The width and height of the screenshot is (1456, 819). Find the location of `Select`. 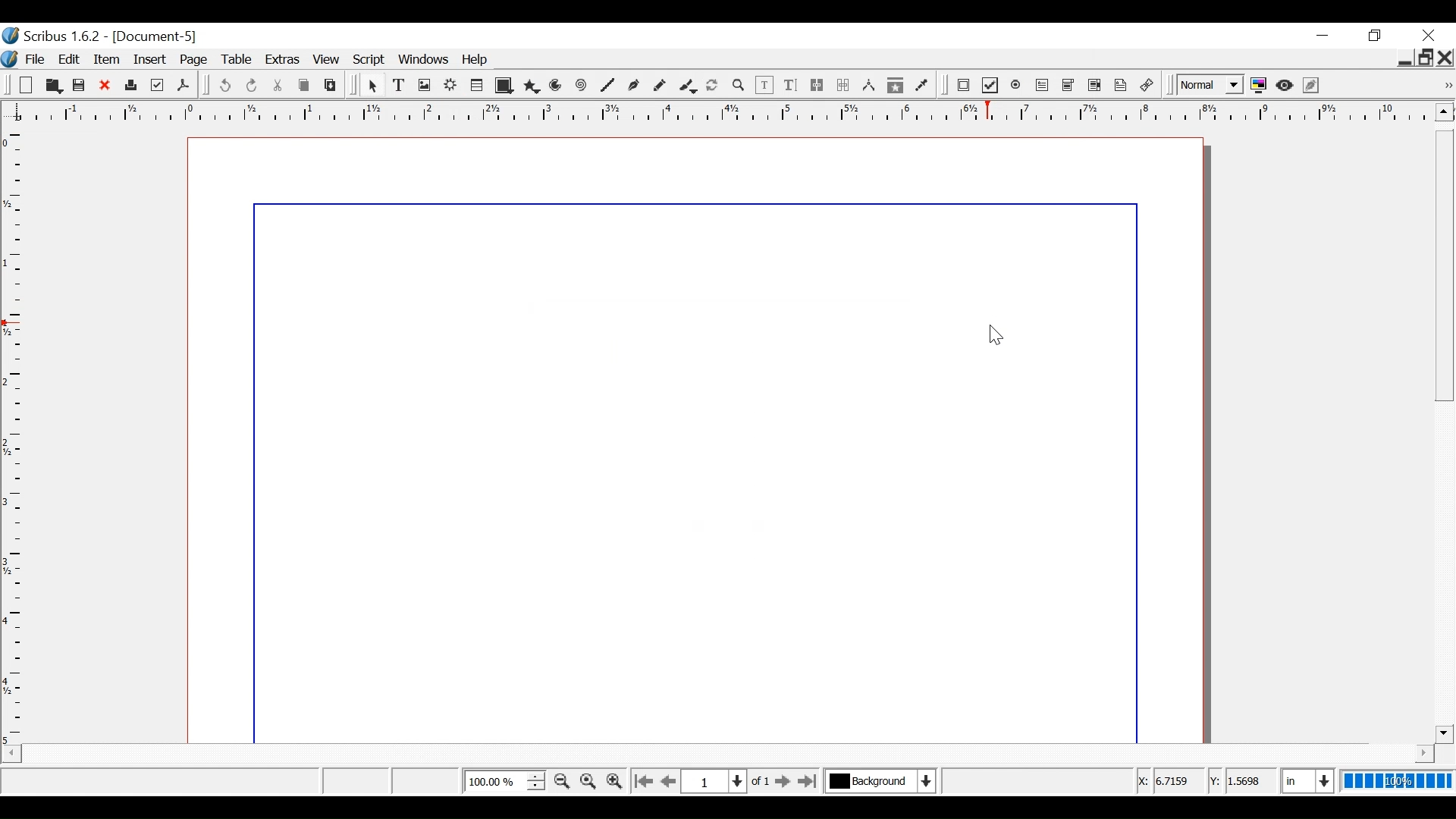

Select is located at coordinates (374, 86).